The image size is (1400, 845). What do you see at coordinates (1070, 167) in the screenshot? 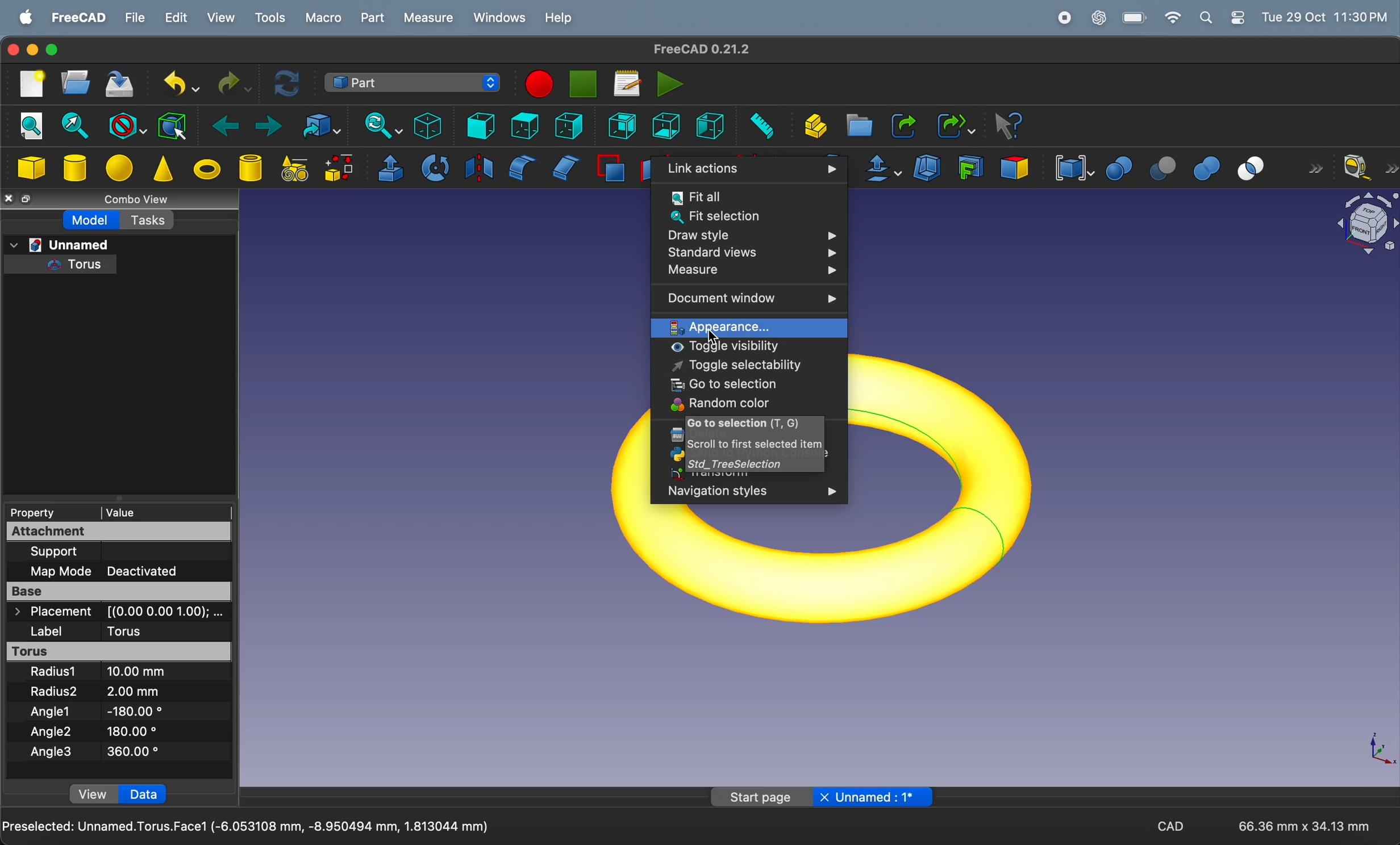
I see `compound tools` at bounding box center [1070, 167].